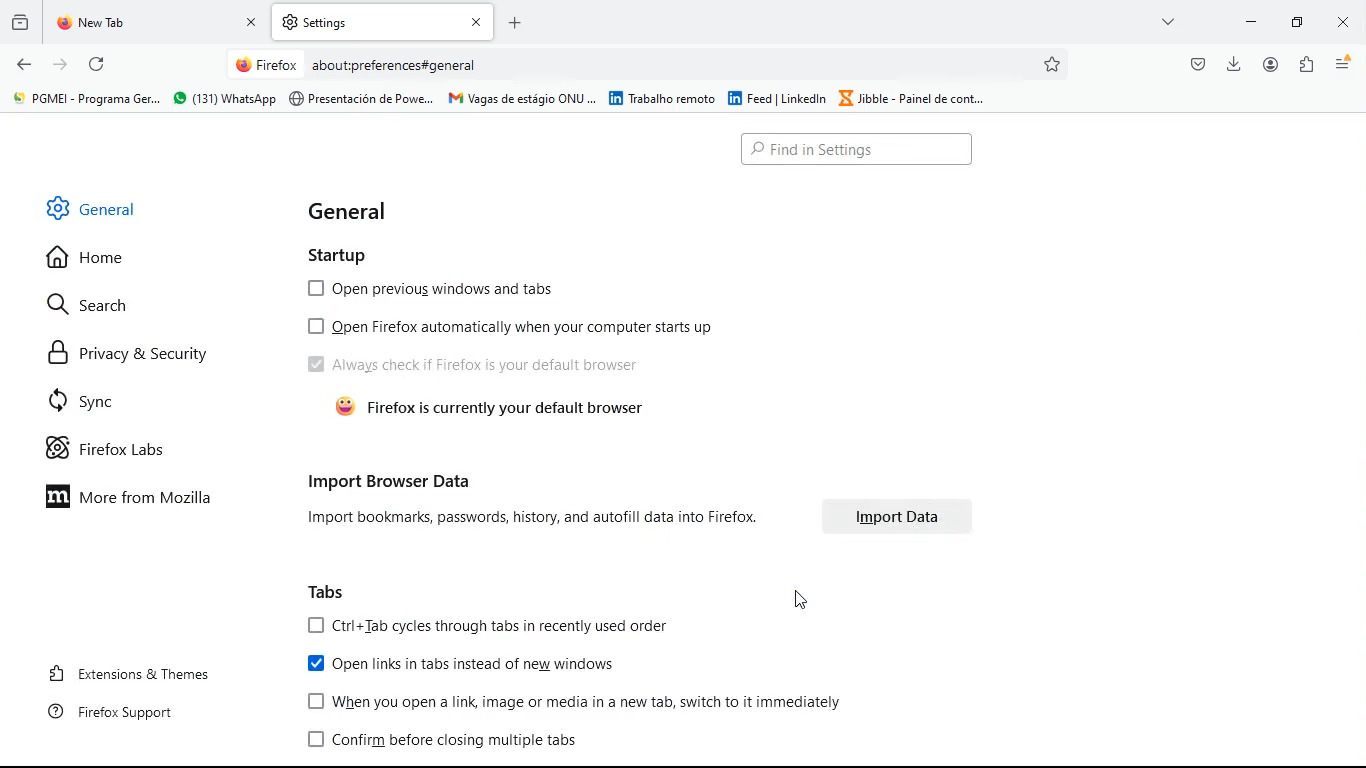  I want to click on general, so click(111, 207).